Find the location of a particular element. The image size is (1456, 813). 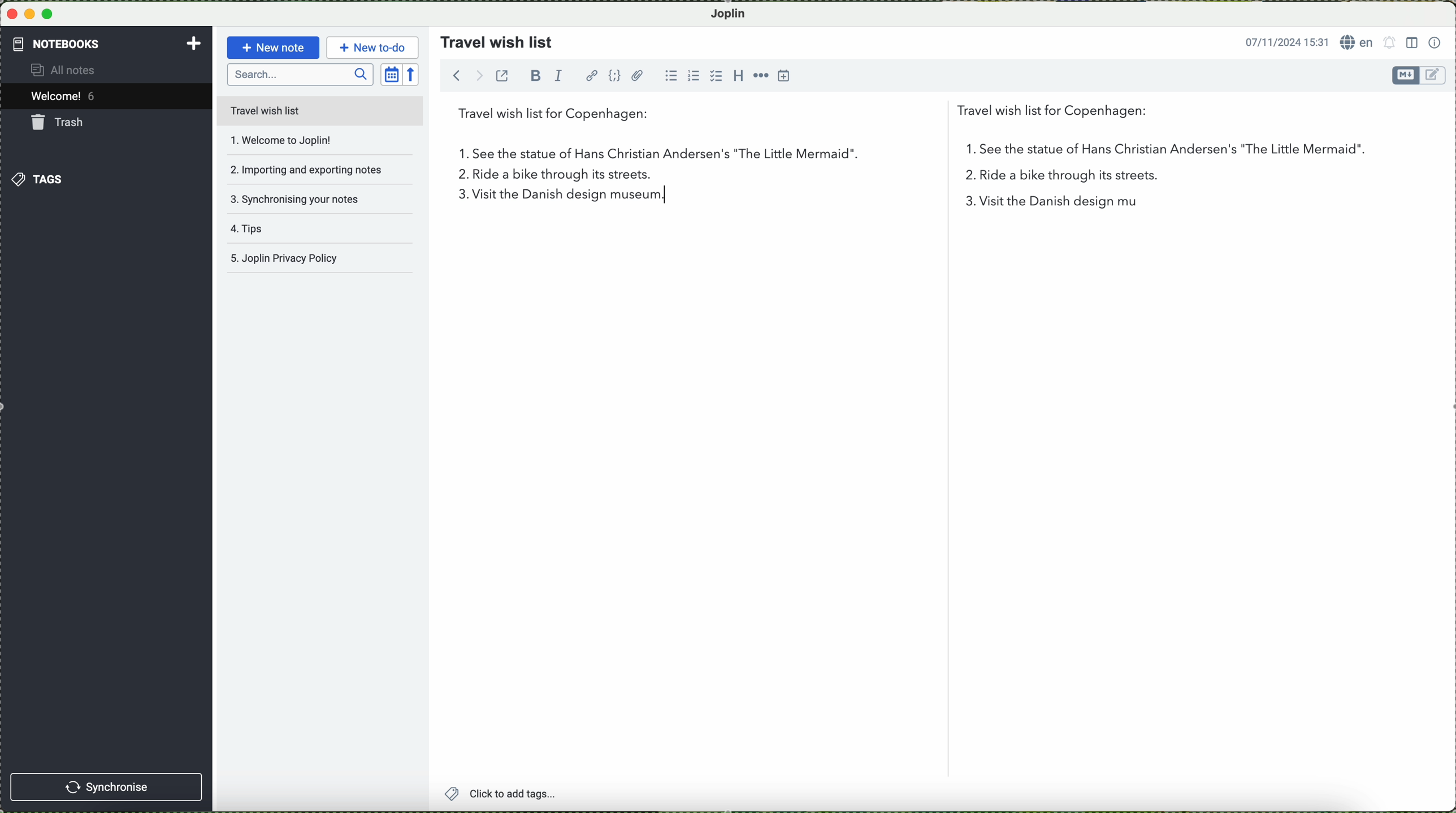

numbered list is located at coordinates (693, 71).